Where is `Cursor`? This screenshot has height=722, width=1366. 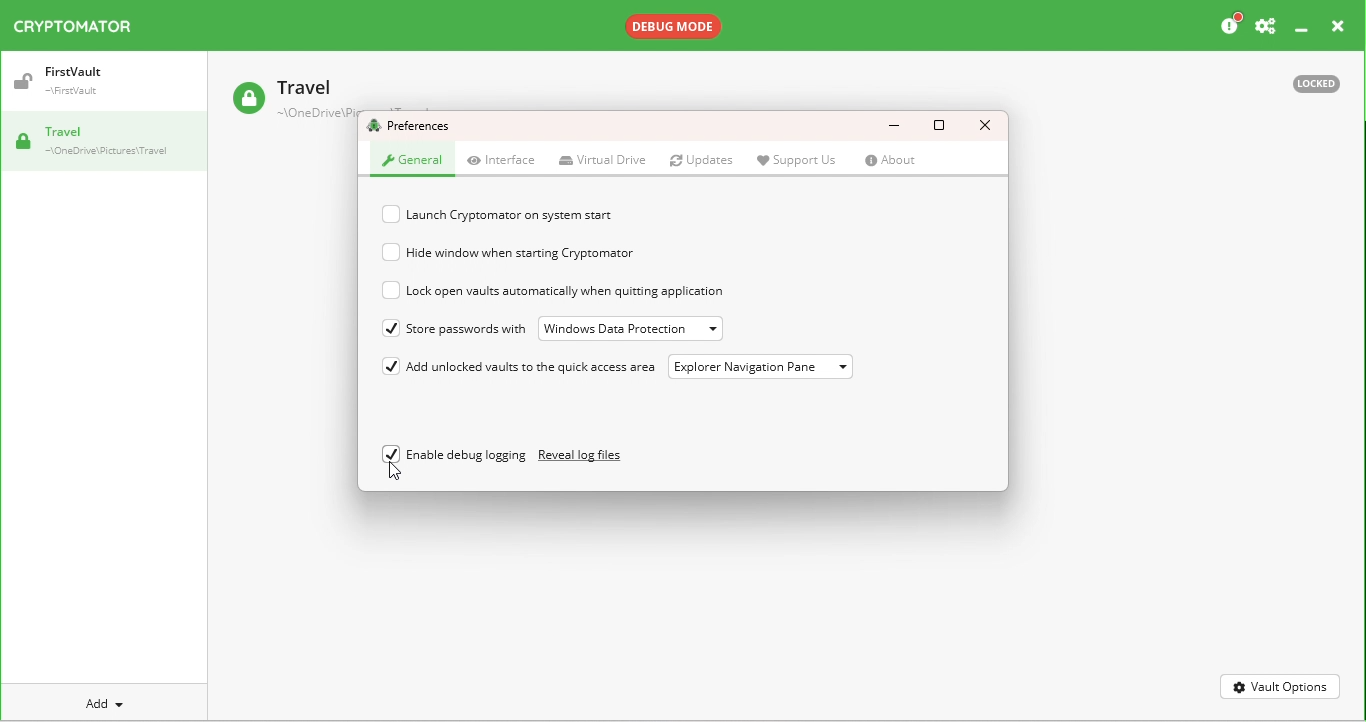
Cursor is located at coordinates (393, 470).